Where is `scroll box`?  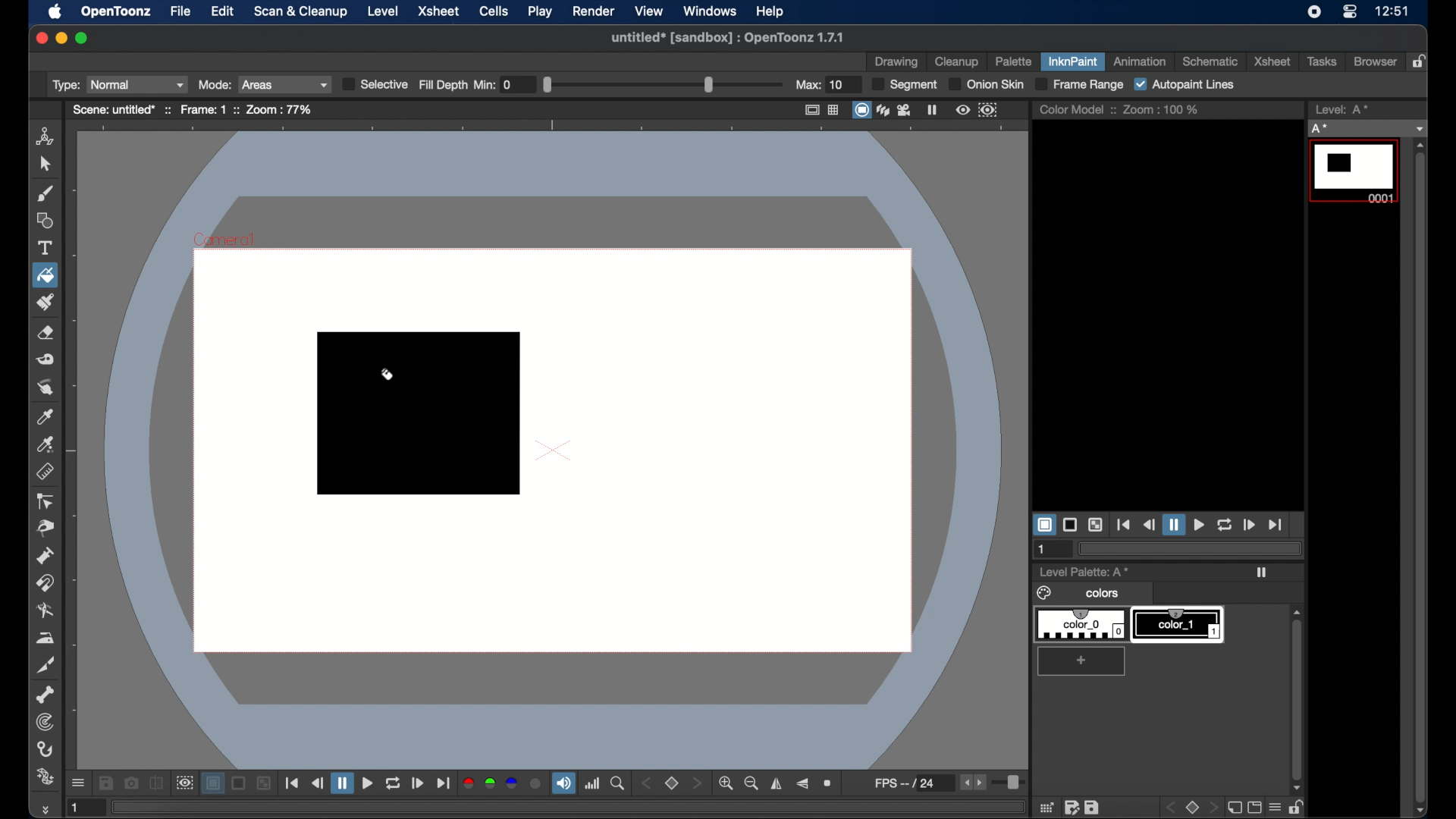 scroll box is located at coordinates (1420, 477).